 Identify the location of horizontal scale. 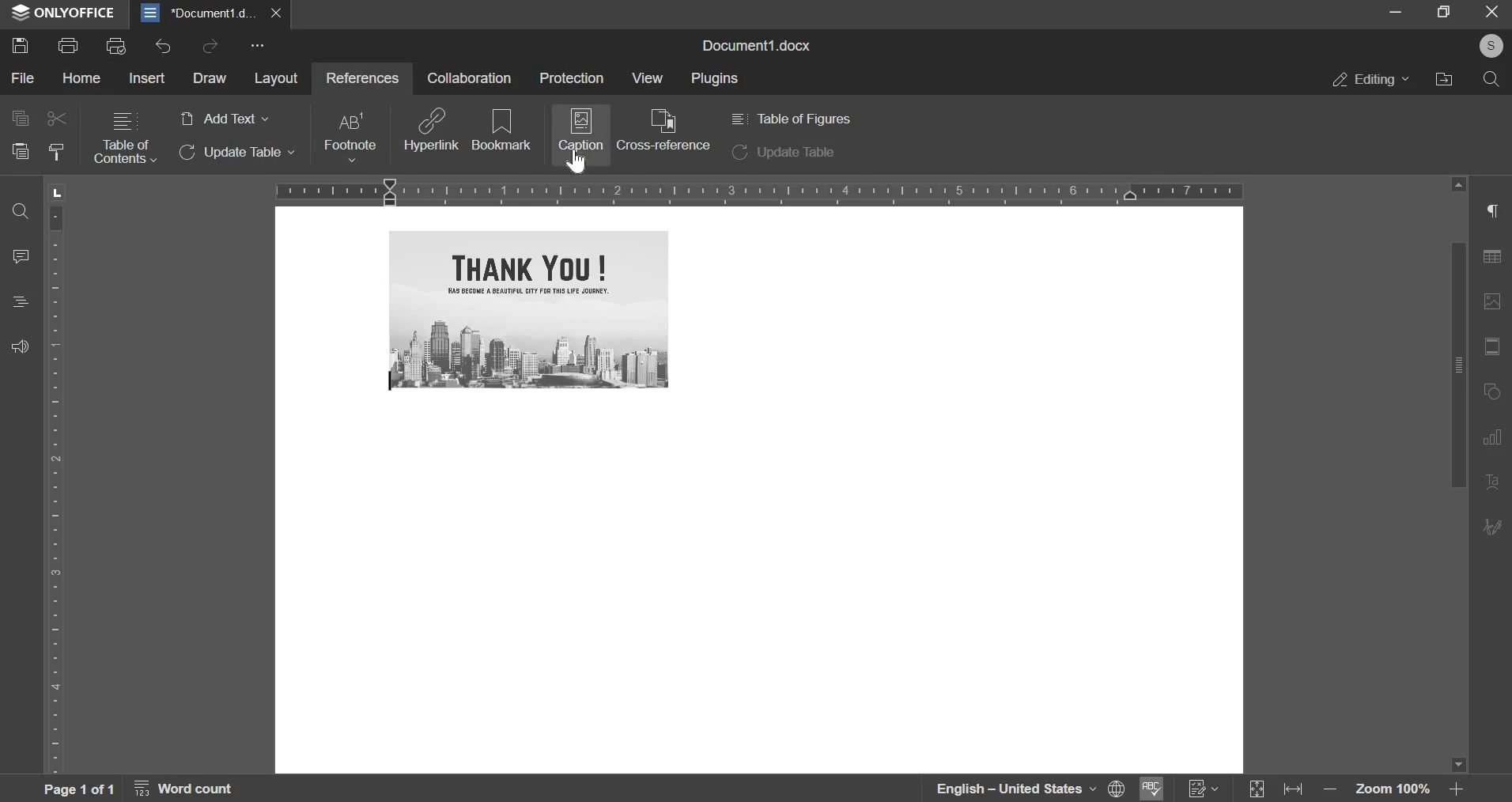
(759, 190).